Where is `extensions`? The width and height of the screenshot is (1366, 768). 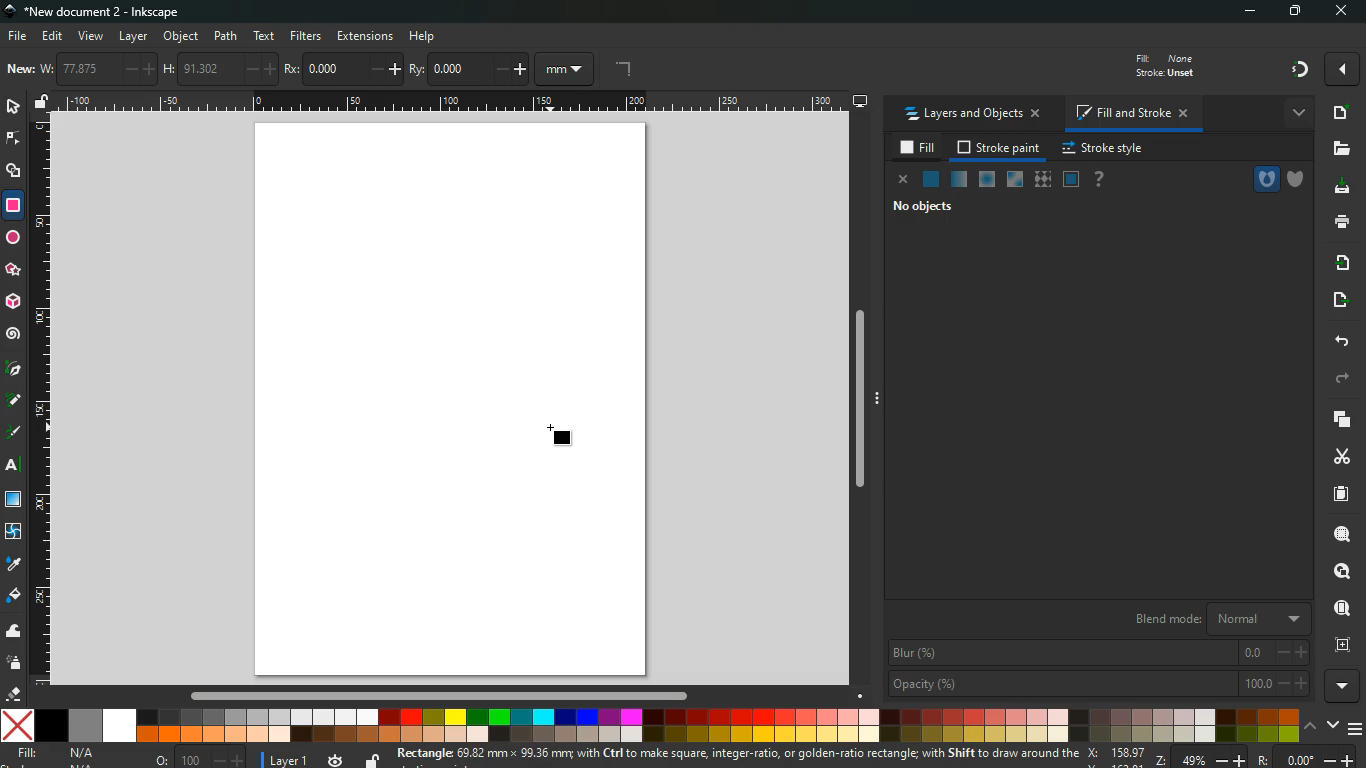
extensions is located at coordinates (365, 36).